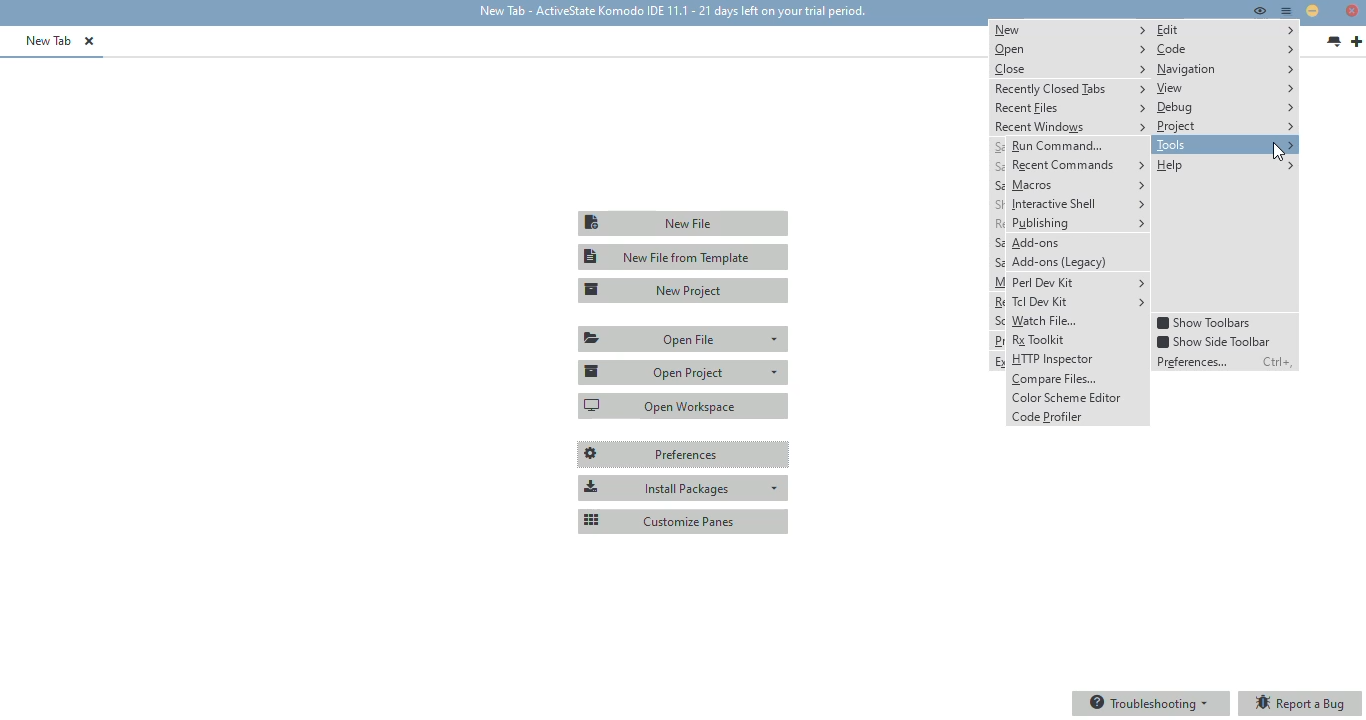 This screenshot has height=720, width=1366. Describe the element at coordinates (683, 371) in the screenshot. I see `open project` at that location.